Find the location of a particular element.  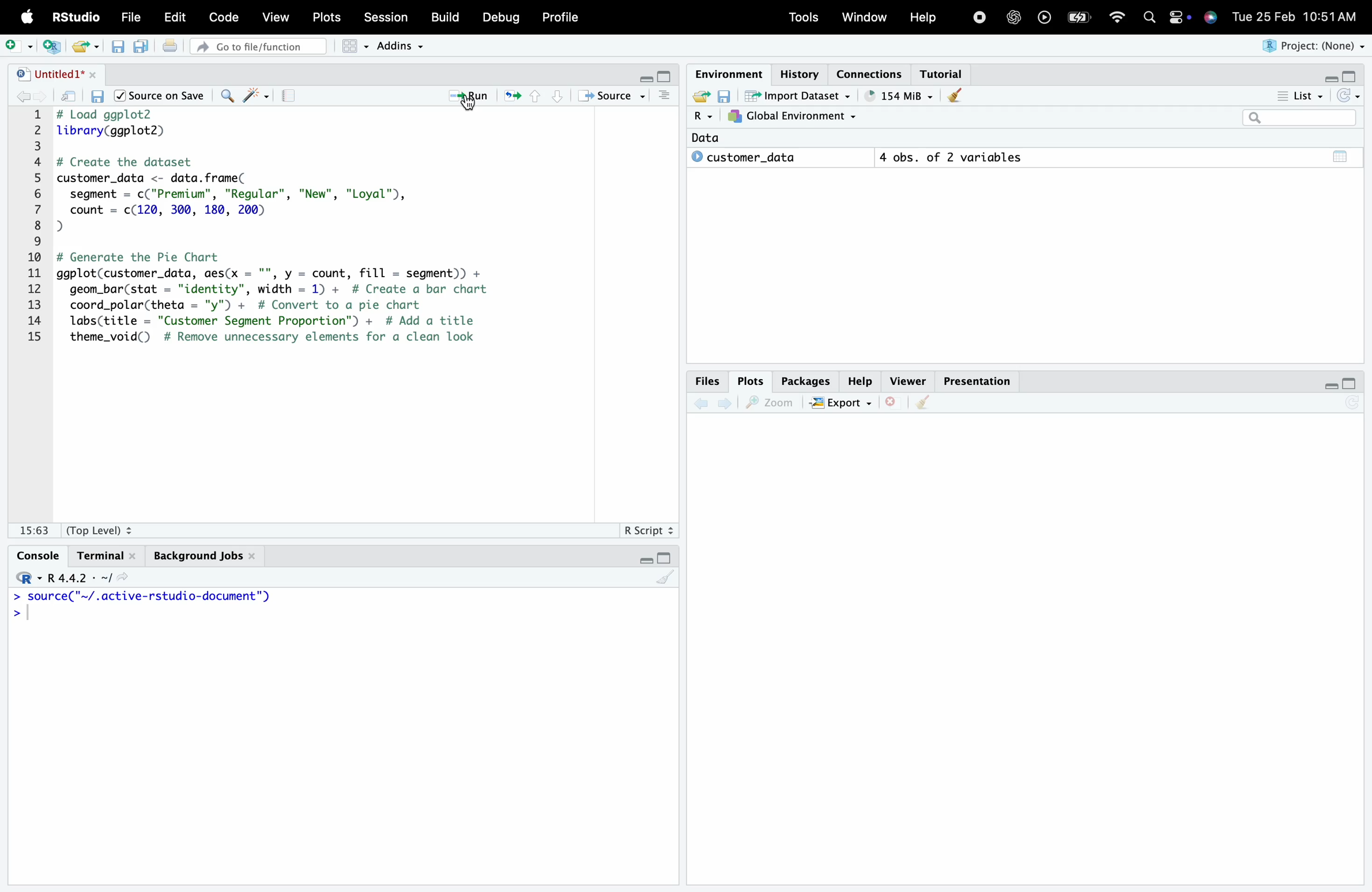

grid view is located at coordinates (350, 48).